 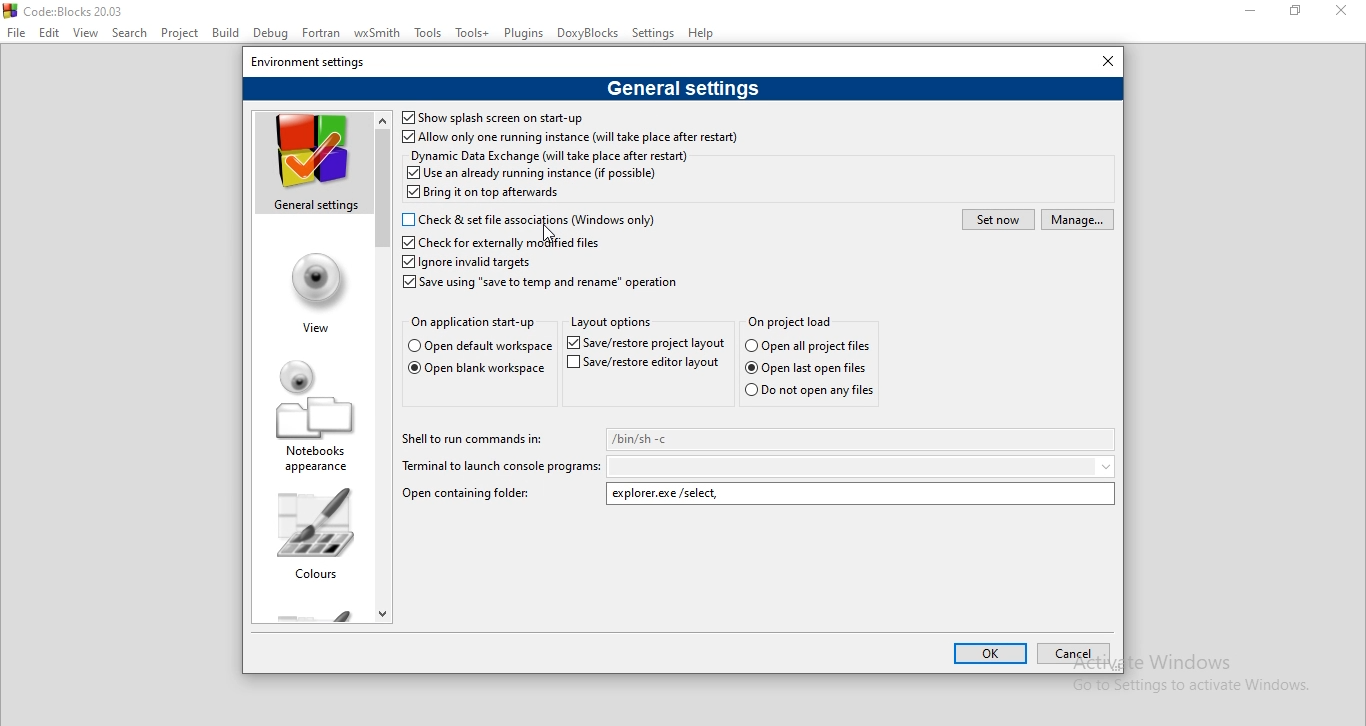 I want to click on Edit, so click(x=52, y=35).